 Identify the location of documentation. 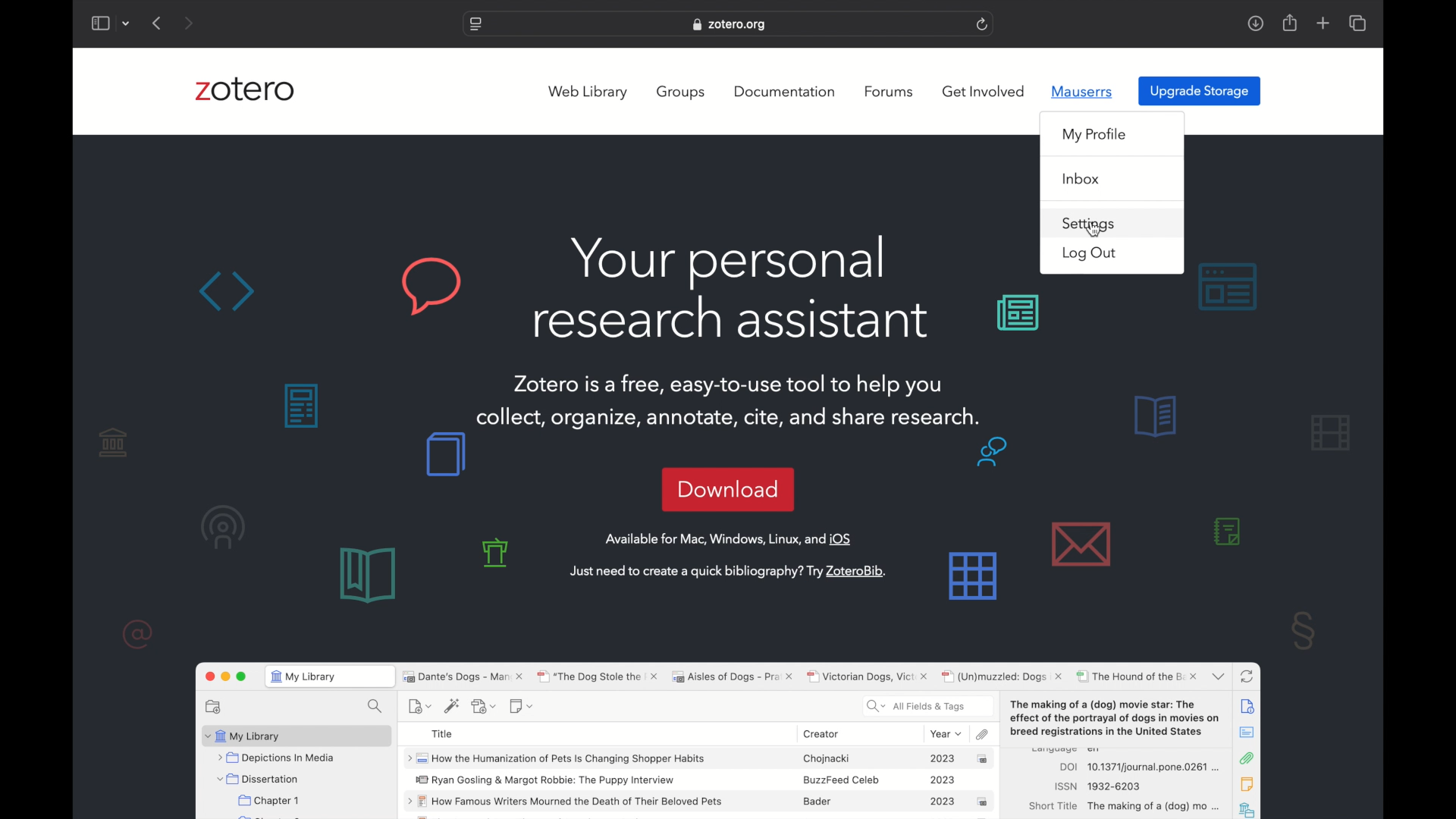
(786, 92).